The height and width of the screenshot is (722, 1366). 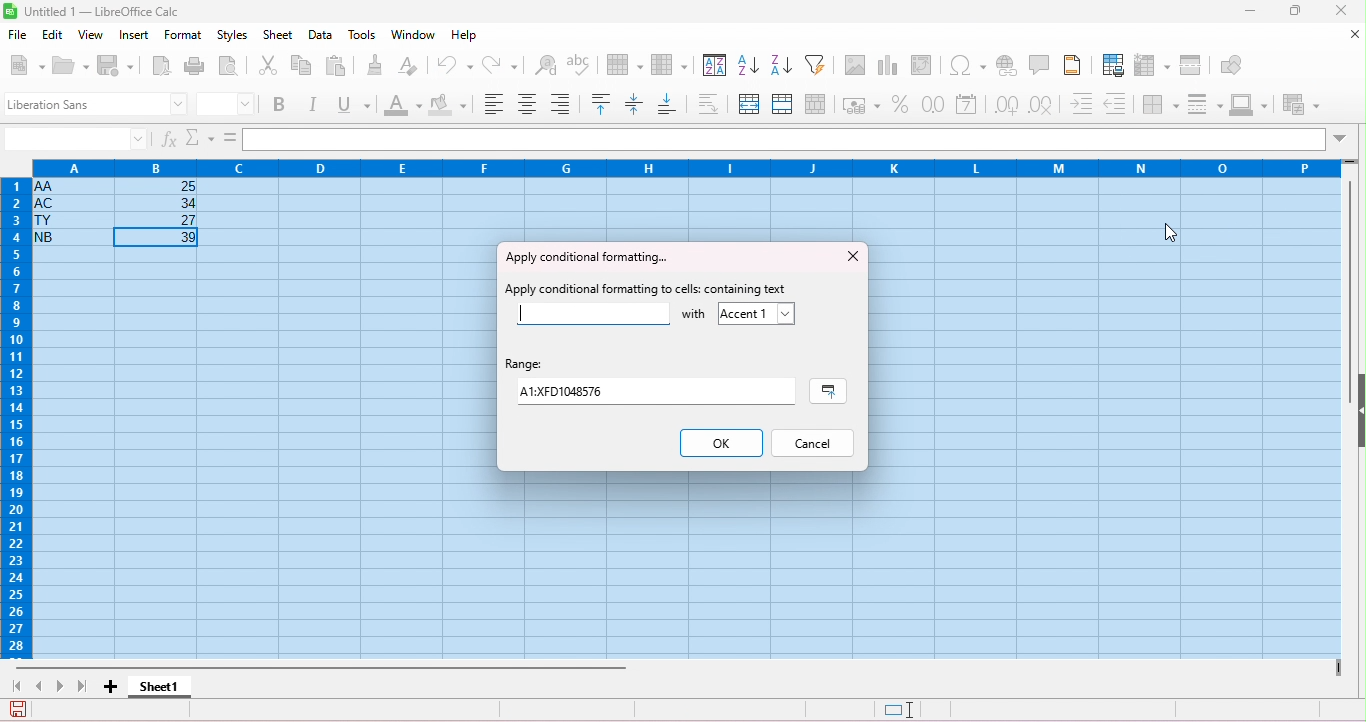 I want to click on align center, so click(x=528, y=105).